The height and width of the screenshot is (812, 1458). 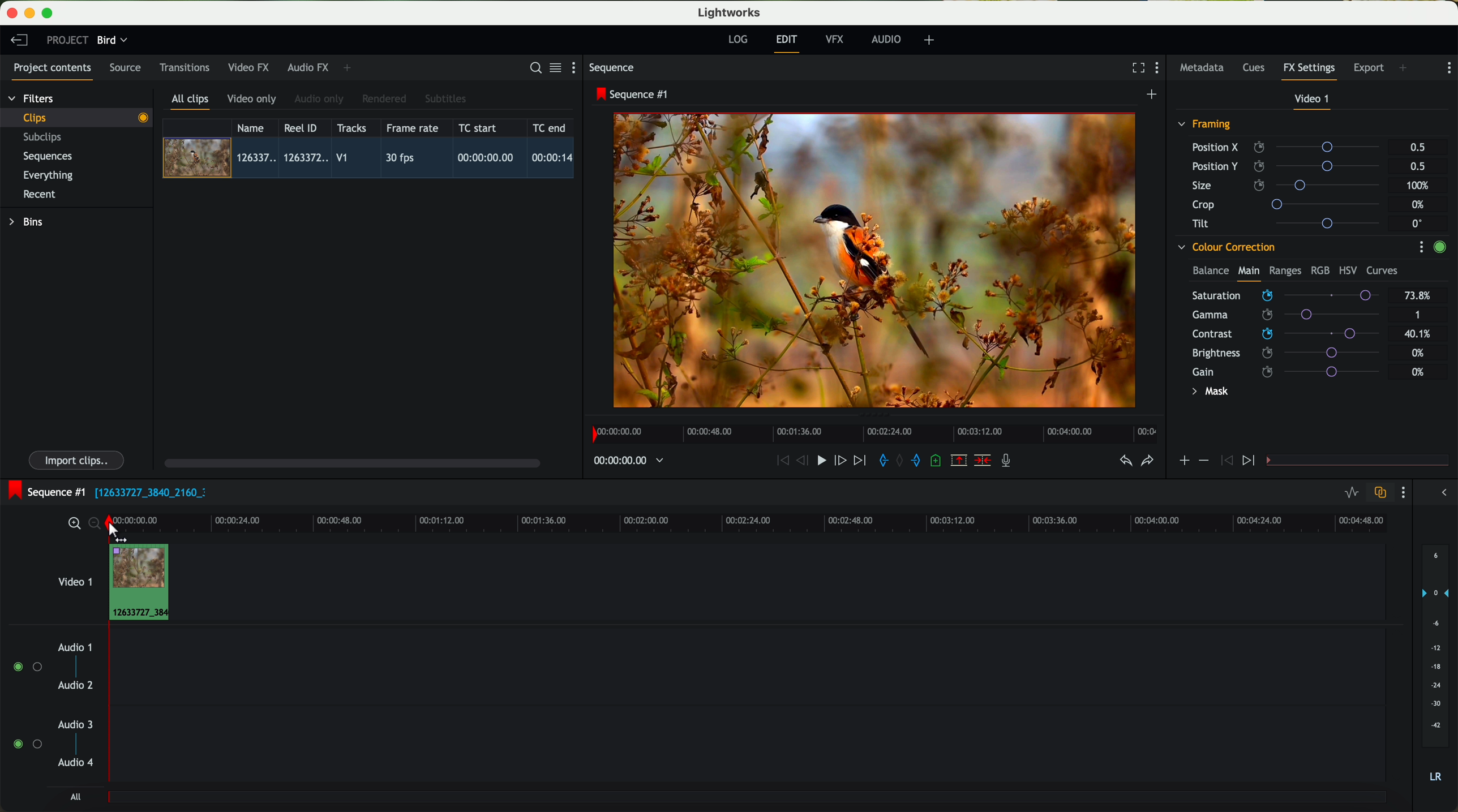 I want to click on enable audio, so click(x=27, y=744).